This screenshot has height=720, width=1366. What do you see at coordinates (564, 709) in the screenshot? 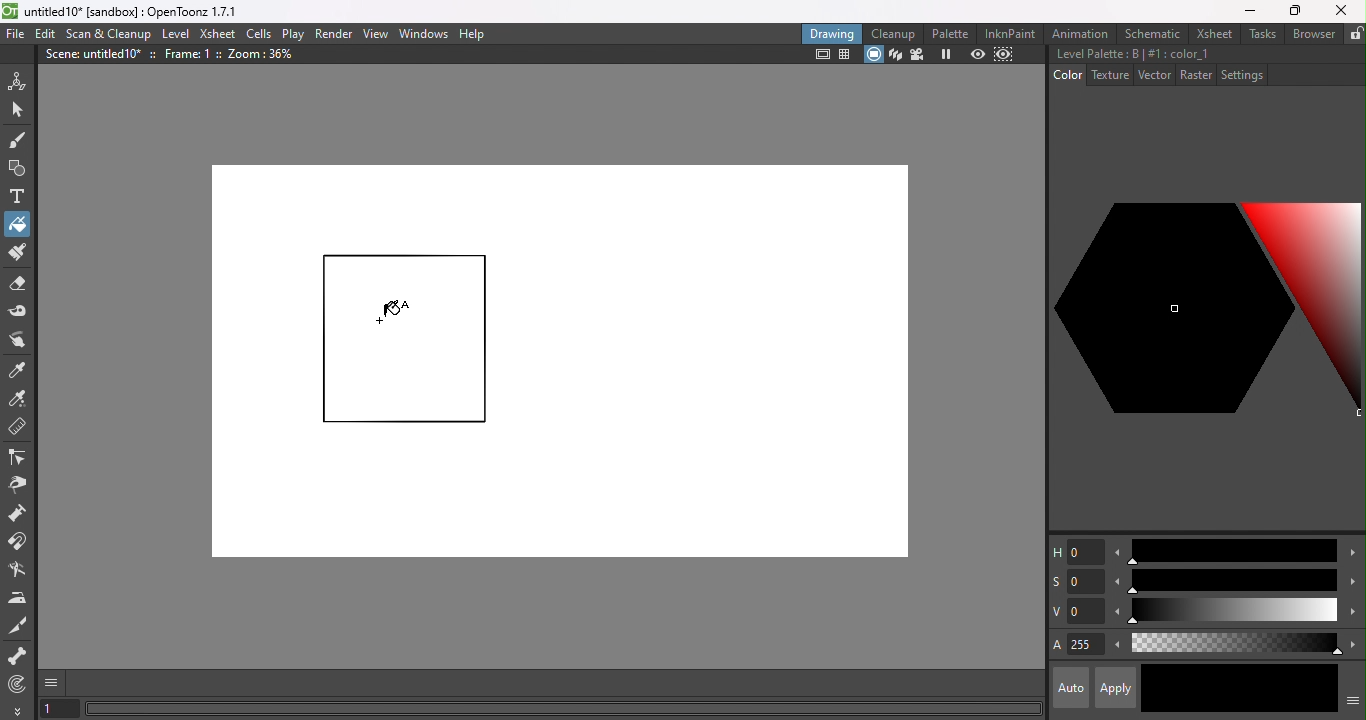
I see `horizontal scroll bar` at bounding box center [564, 709].